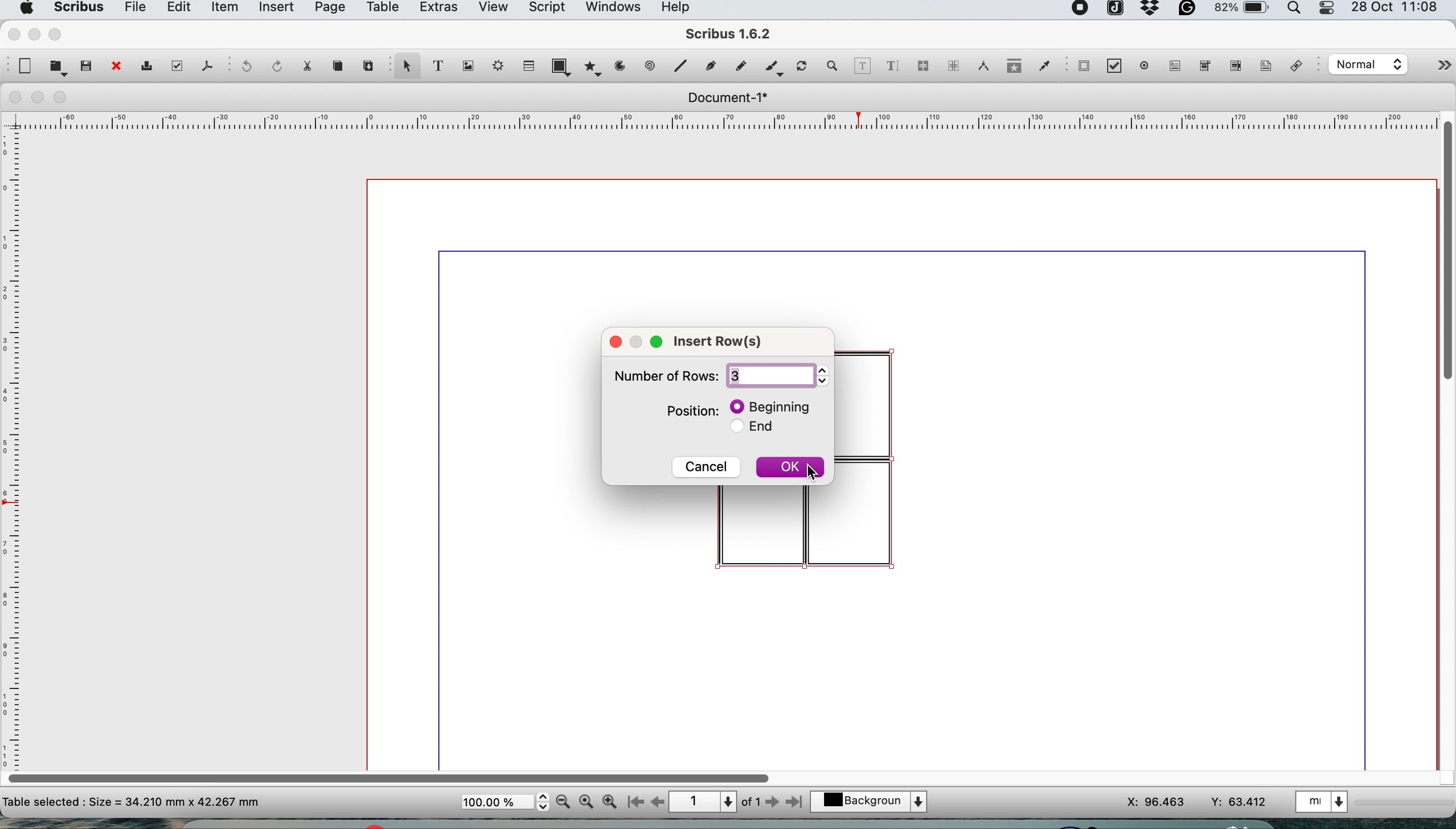  What do you see at coordinates (565, 802) in the screenshot?
I see `zoom out` at bounding box center [565, 802].